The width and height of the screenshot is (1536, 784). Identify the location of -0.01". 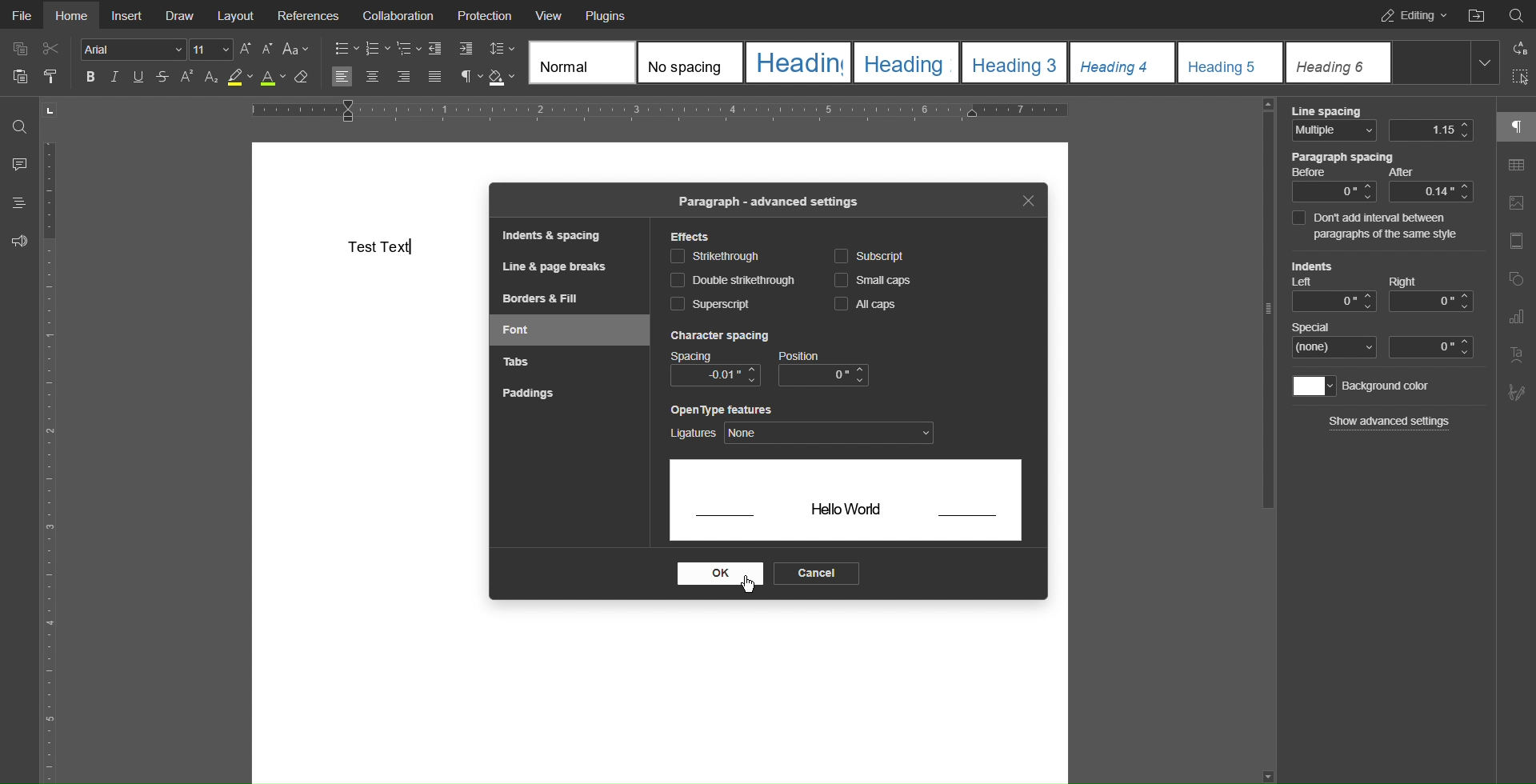
(716, 375).